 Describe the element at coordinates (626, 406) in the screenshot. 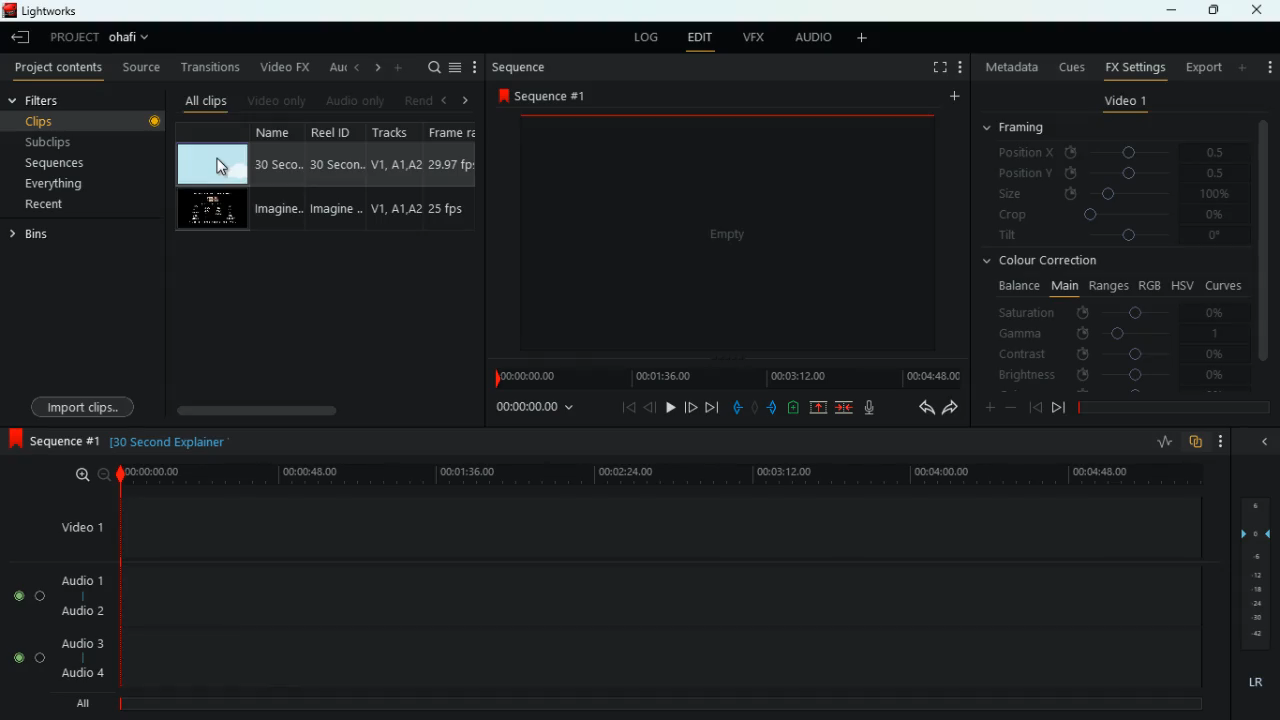

I see `beggining` at that location.